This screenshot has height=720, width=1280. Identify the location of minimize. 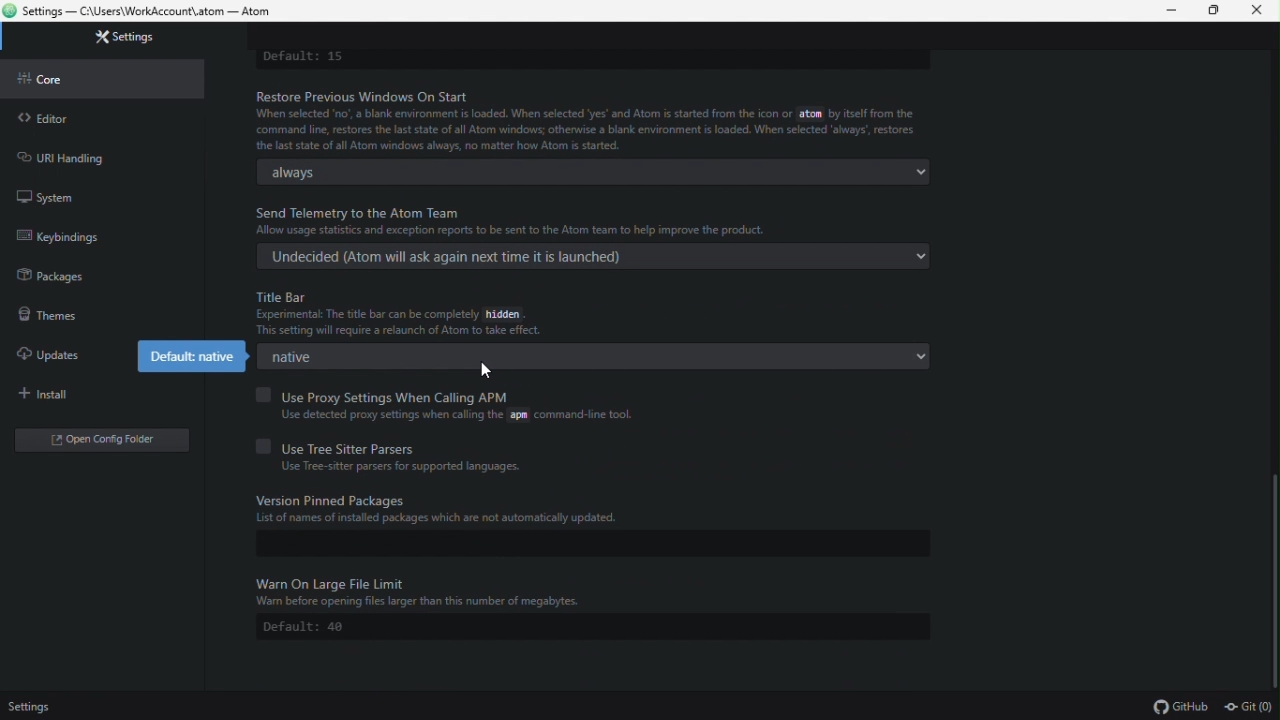
(1169, 11).